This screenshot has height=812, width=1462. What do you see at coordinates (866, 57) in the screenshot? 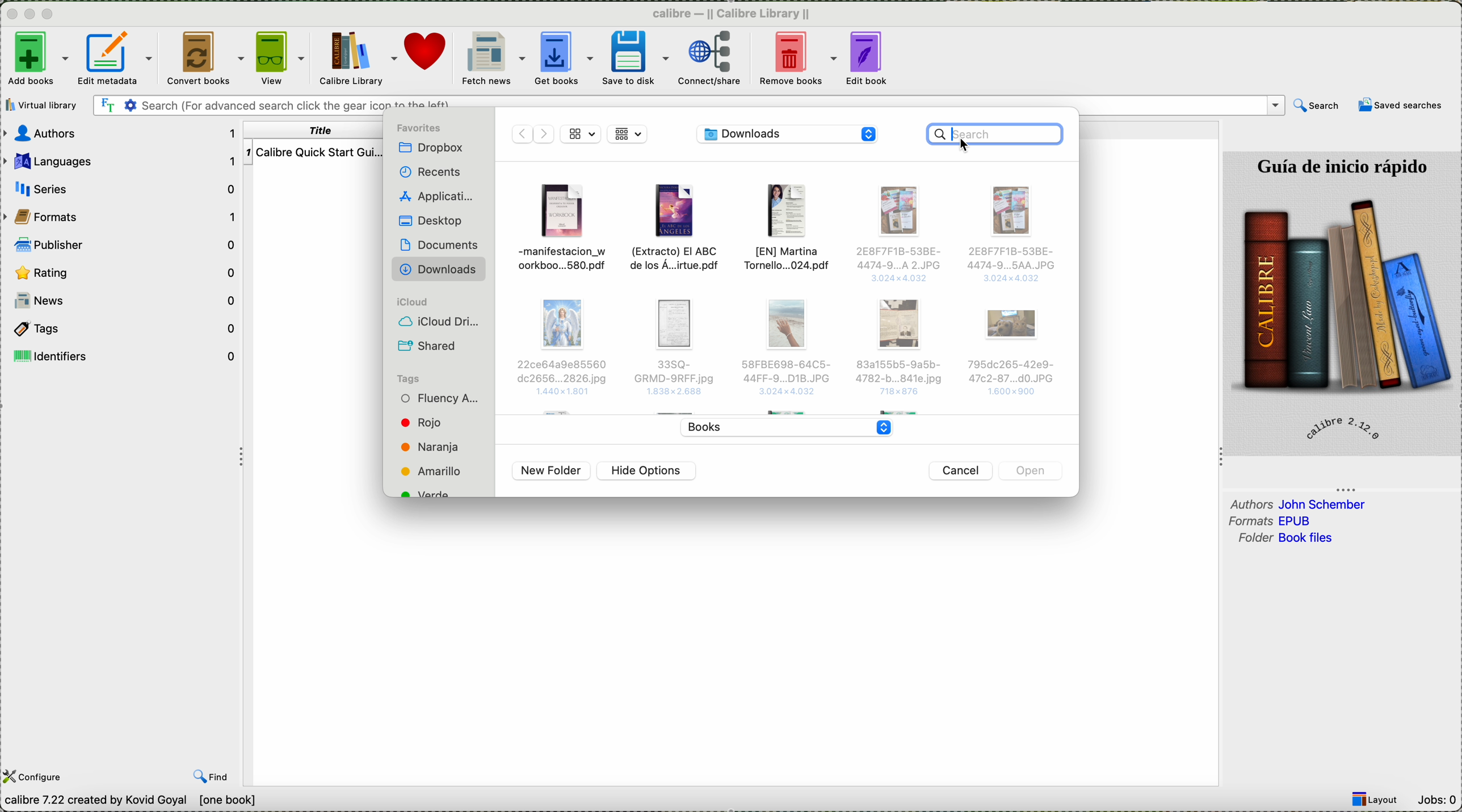
I see `edit book` at bounding box center [866, 57].